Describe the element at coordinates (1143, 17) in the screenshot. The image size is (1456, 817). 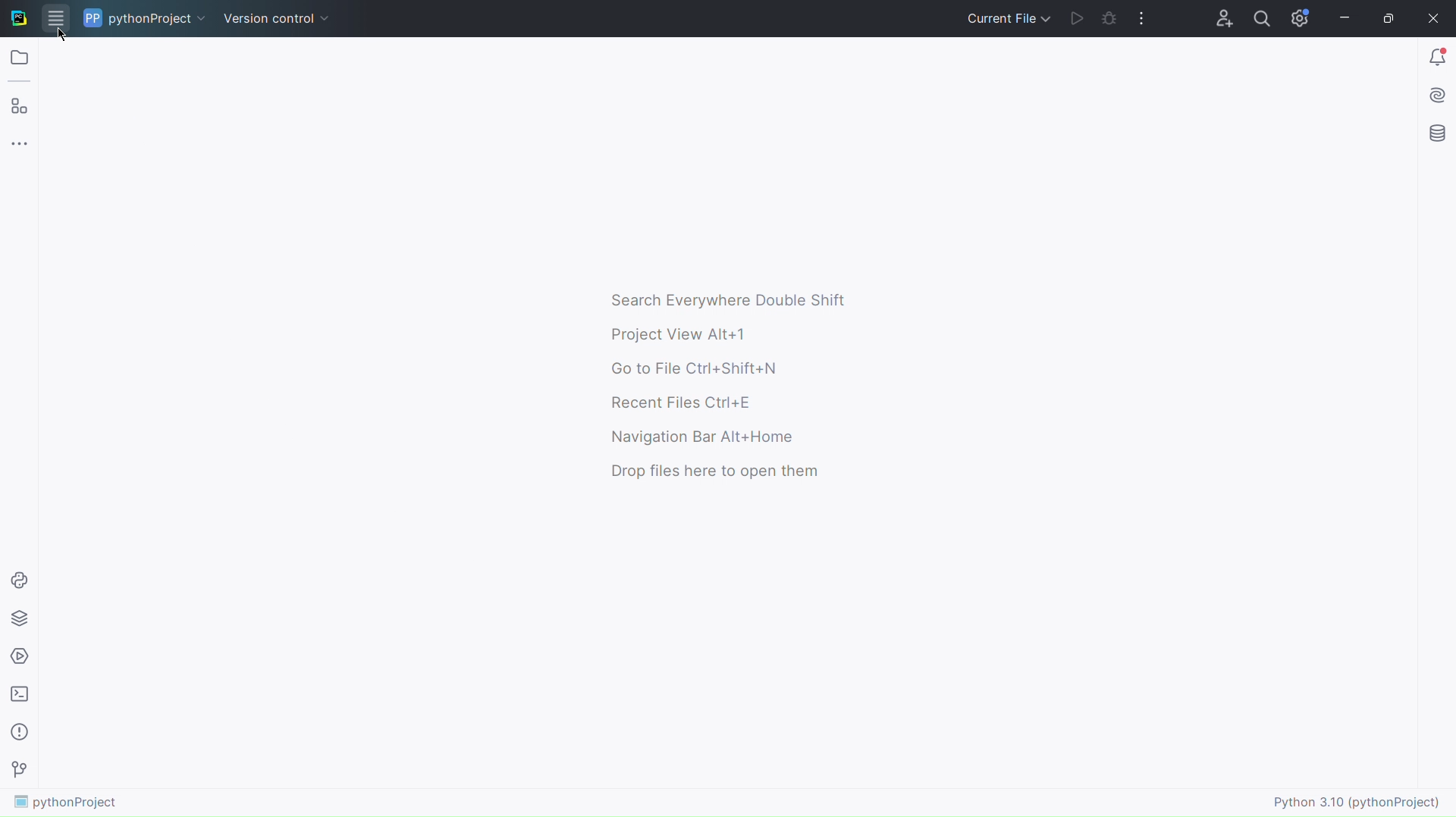
I see `More` at that location.